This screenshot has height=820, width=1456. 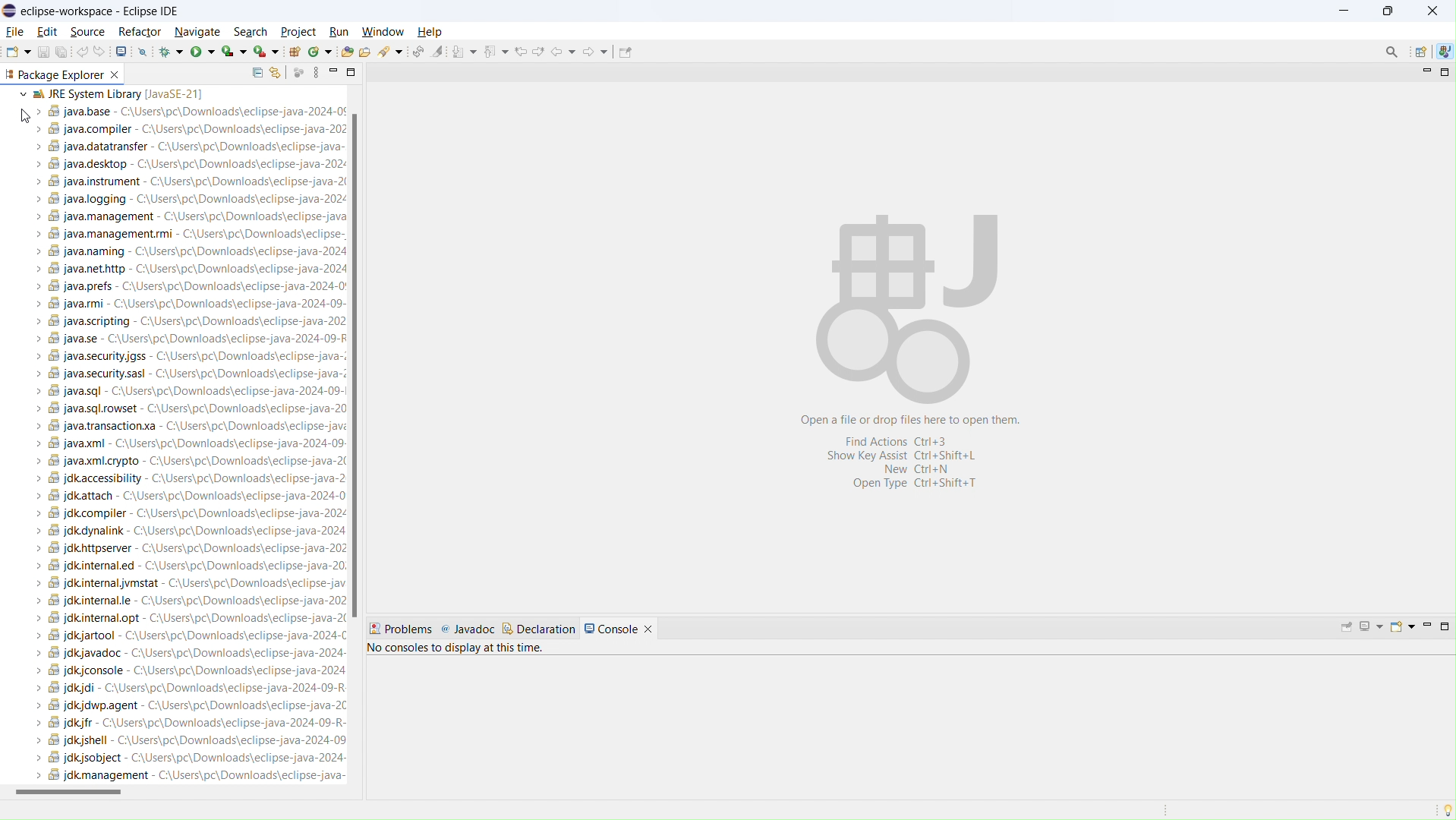 What do you see at coordinates (234, 52) in the screenshot?
I see `coverage` at bounding box center [234, 52].